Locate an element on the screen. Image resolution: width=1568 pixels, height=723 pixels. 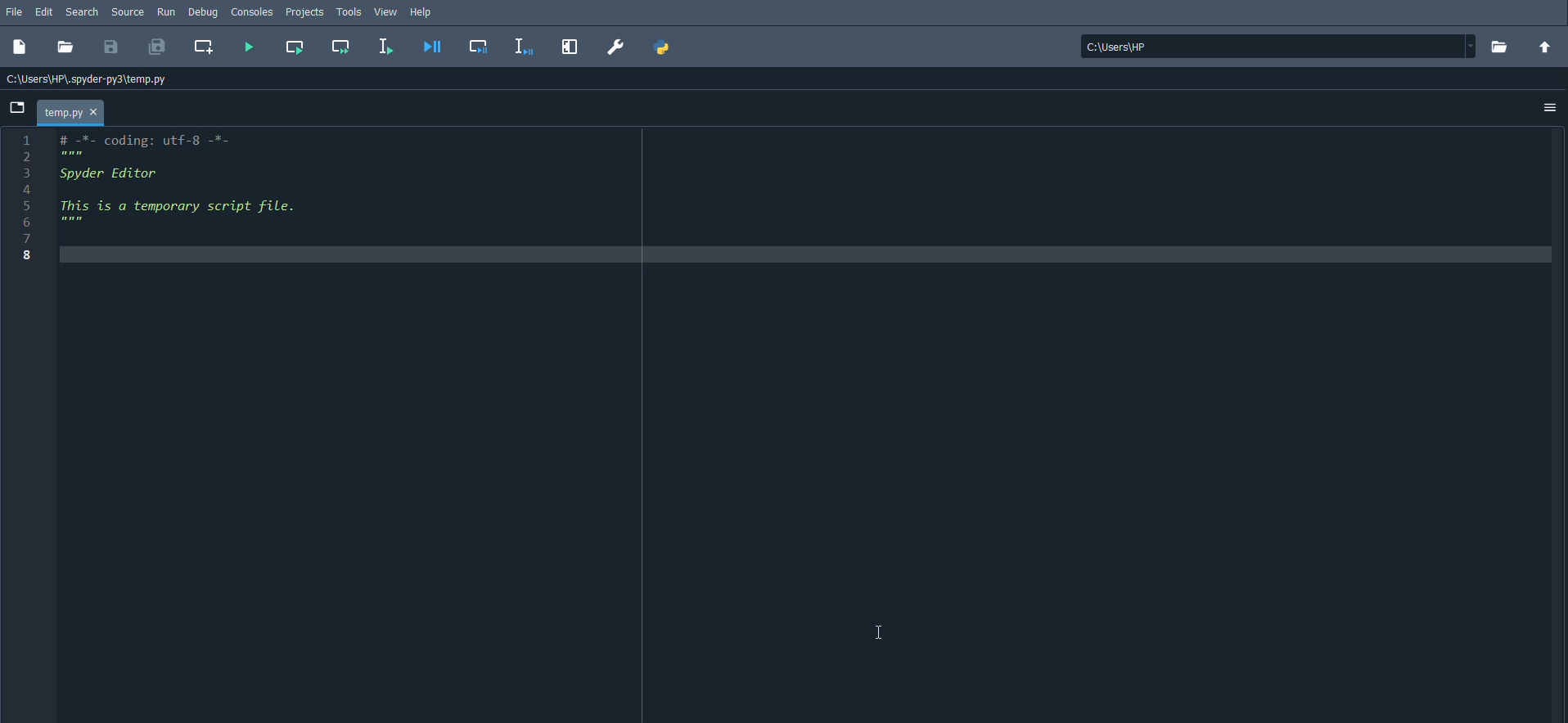
Browse tabs is located at coordinates (18, 107).